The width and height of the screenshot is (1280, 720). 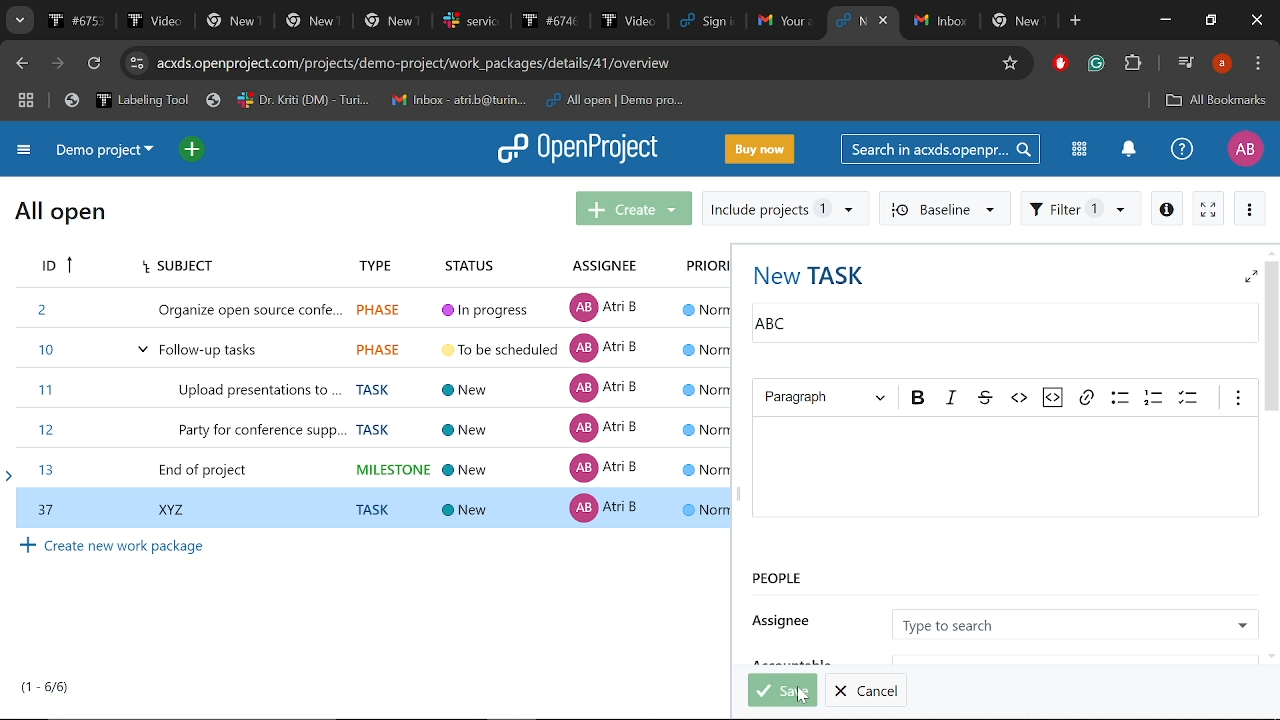 I want to click on Space for writing task details, so click(x=1005, y=469).